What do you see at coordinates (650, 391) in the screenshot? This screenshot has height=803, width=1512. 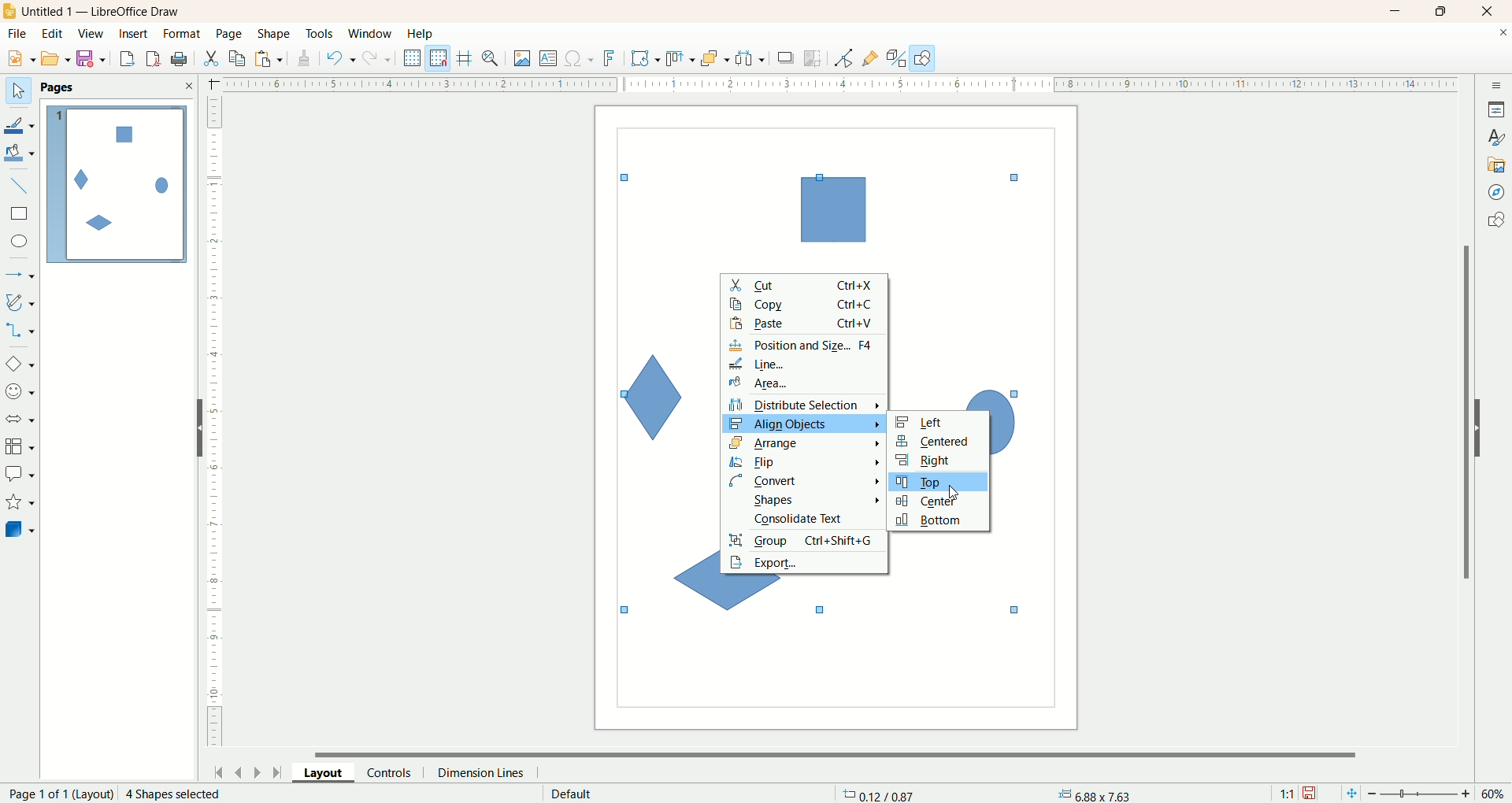 I see `unselected shape` at bounding box center [650, 391].